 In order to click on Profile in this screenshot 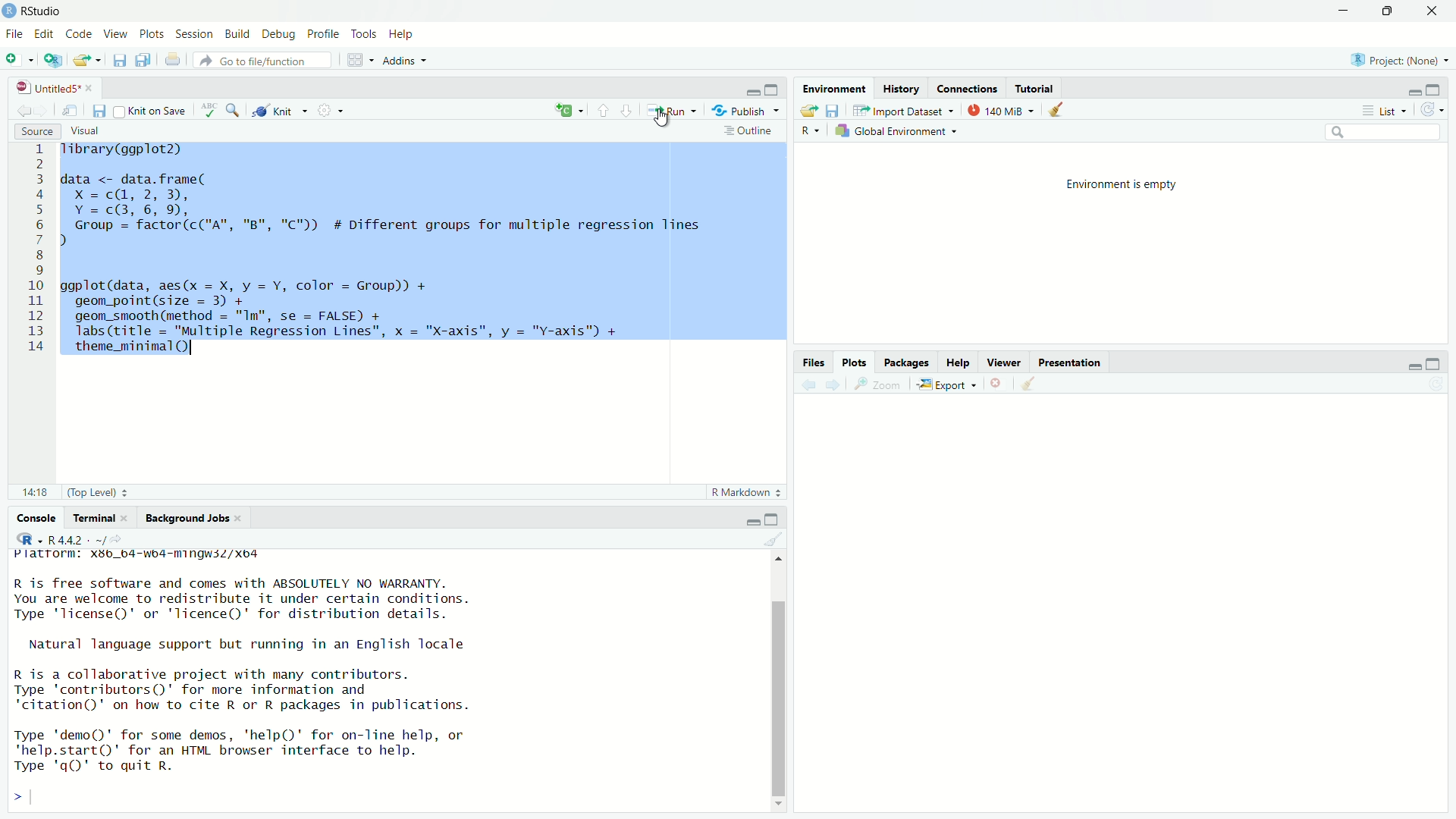, I will do `click(323, 35)`.